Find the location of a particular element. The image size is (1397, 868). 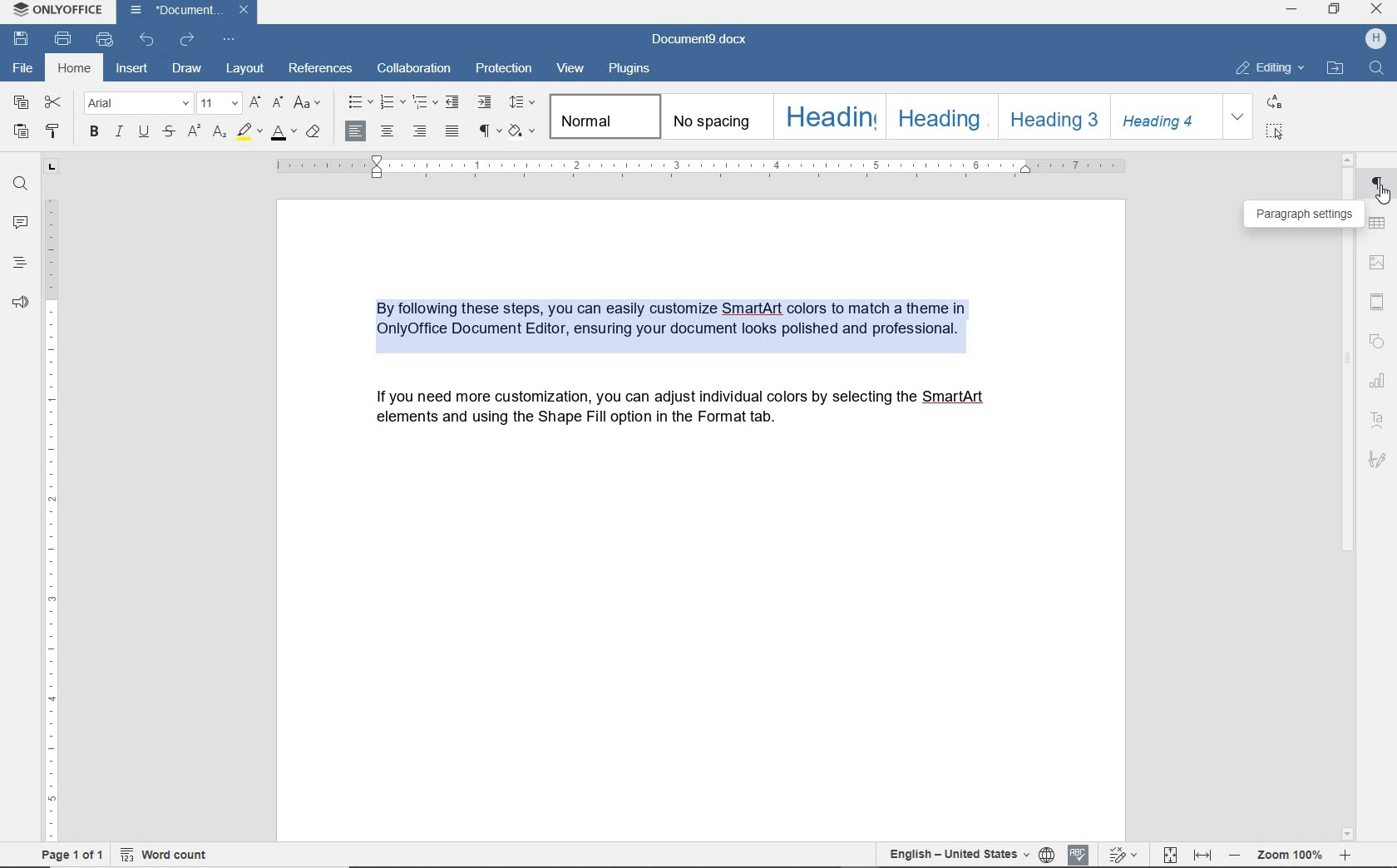

track chnges is located at coordinates (1127, 852).